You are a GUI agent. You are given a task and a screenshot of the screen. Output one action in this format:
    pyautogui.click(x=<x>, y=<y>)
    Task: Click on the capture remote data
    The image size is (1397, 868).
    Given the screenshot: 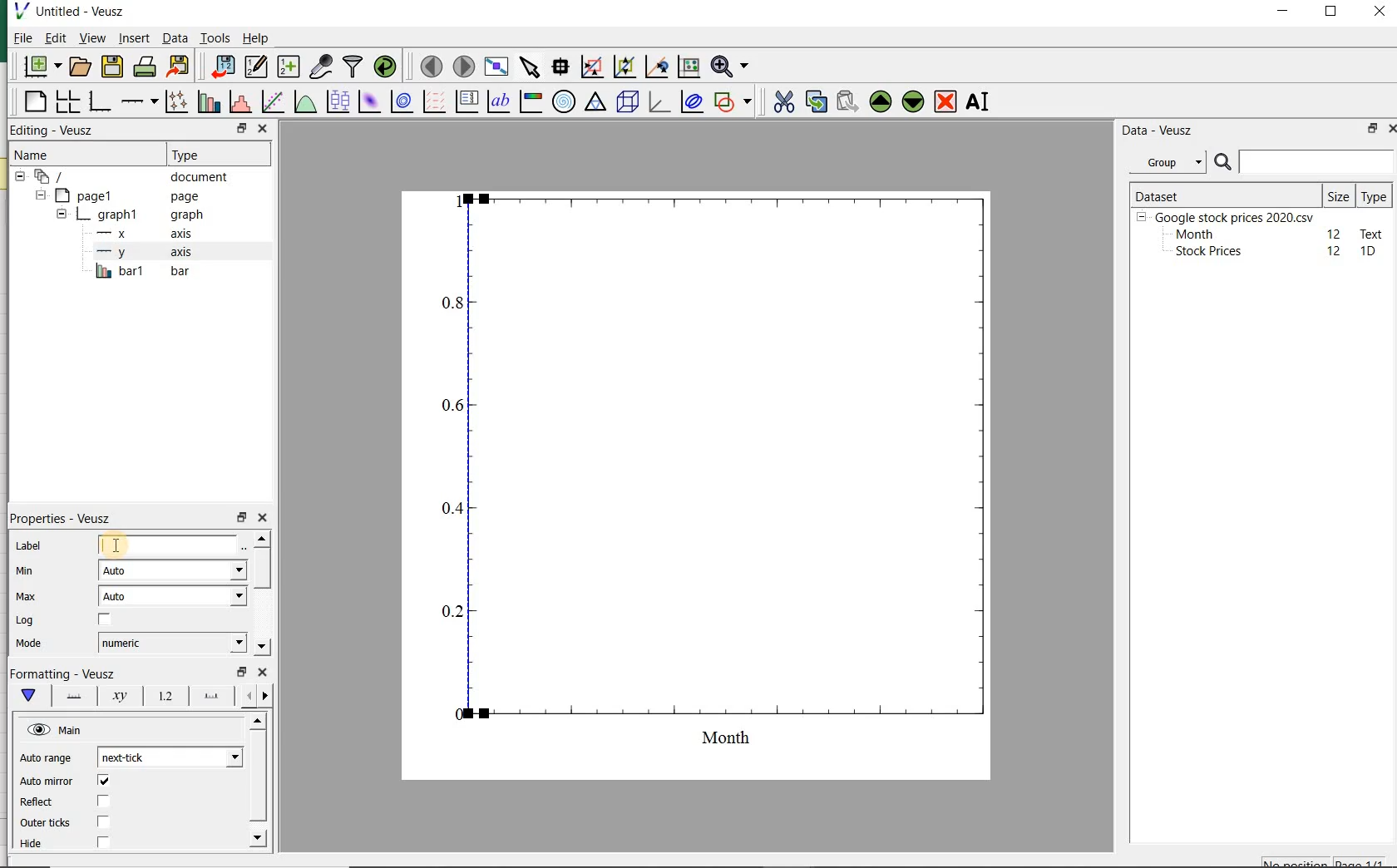 What is the action you would take?
    pyautogui.click(x=321, y=67)
    